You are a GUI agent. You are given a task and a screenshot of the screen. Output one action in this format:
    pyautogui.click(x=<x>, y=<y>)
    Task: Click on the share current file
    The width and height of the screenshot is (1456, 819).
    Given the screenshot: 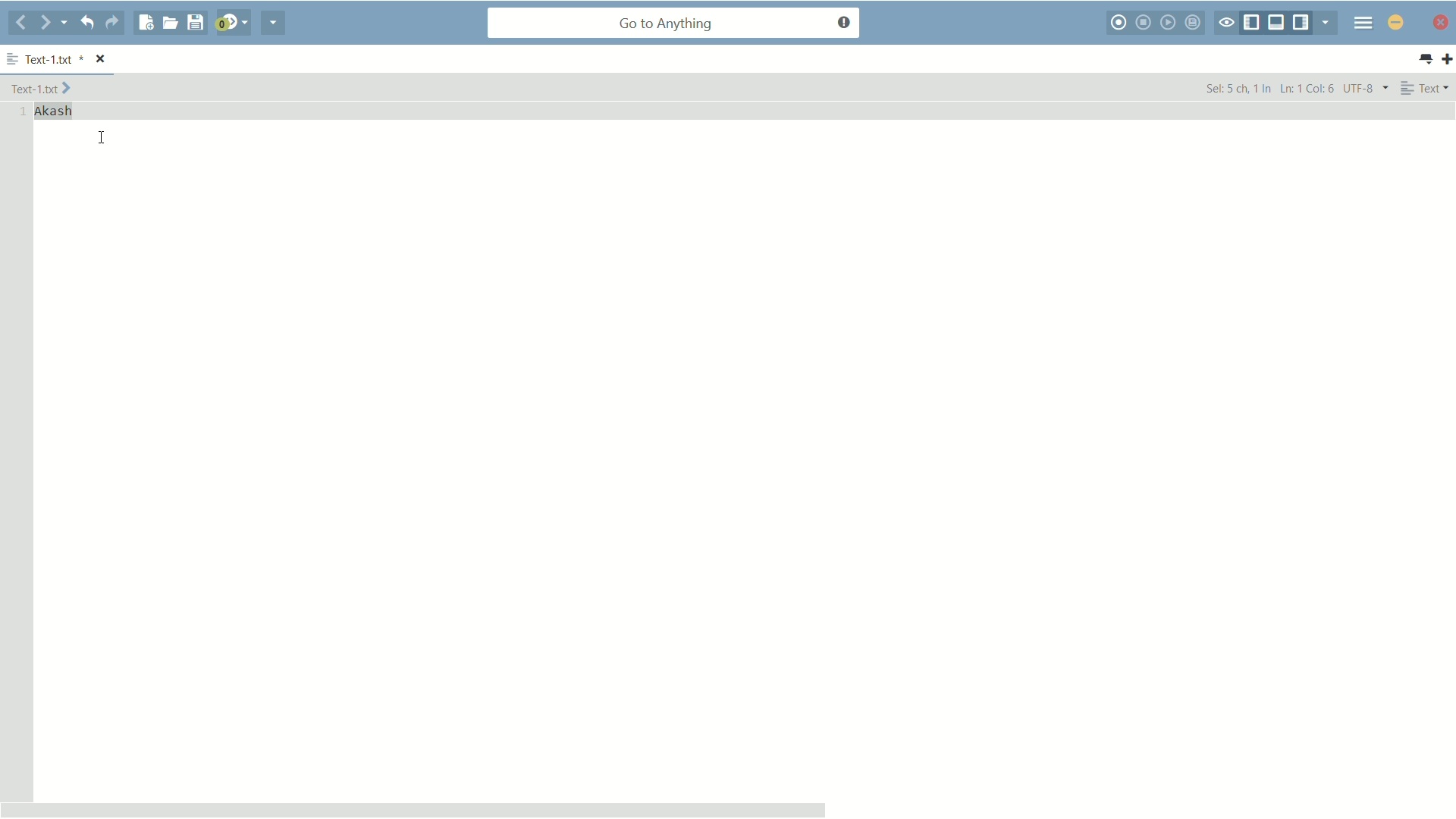 What is the action you would take?
    pyautogui.click(x=274, y=23)
    